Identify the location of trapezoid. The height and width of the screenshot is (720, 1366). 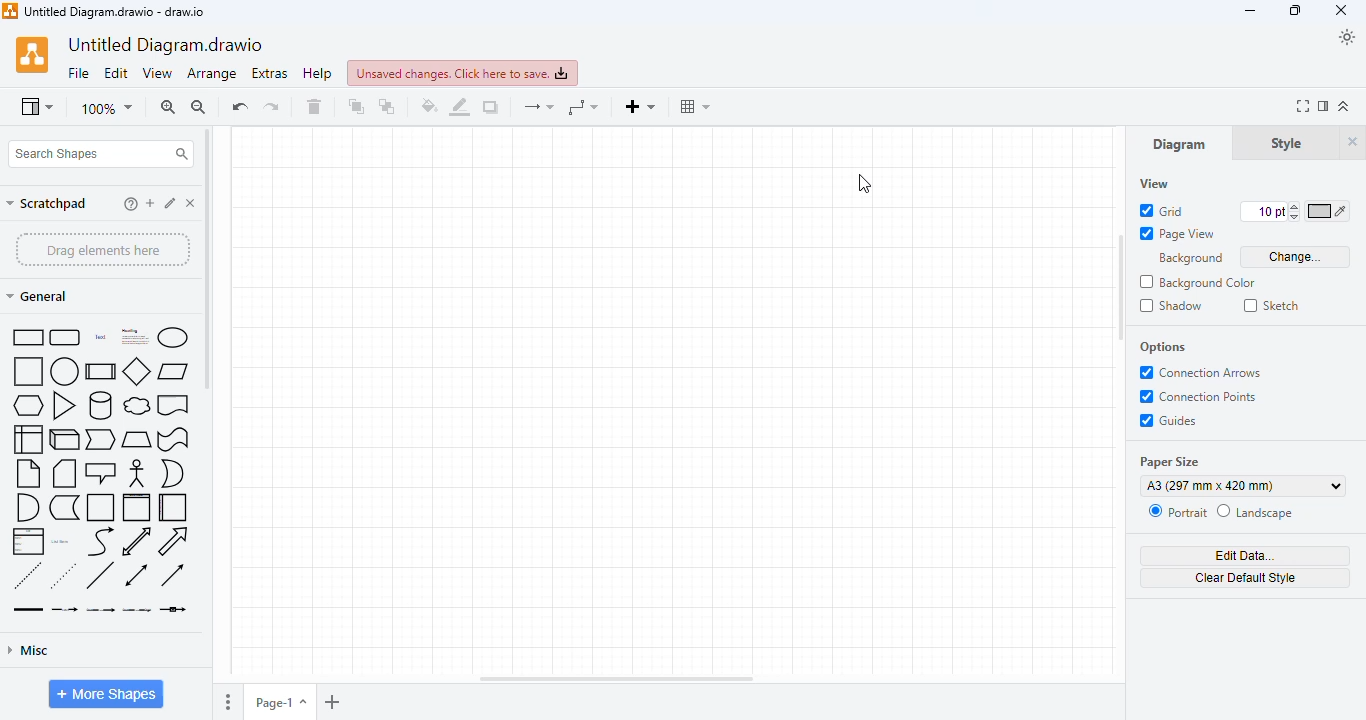
(137, 440).